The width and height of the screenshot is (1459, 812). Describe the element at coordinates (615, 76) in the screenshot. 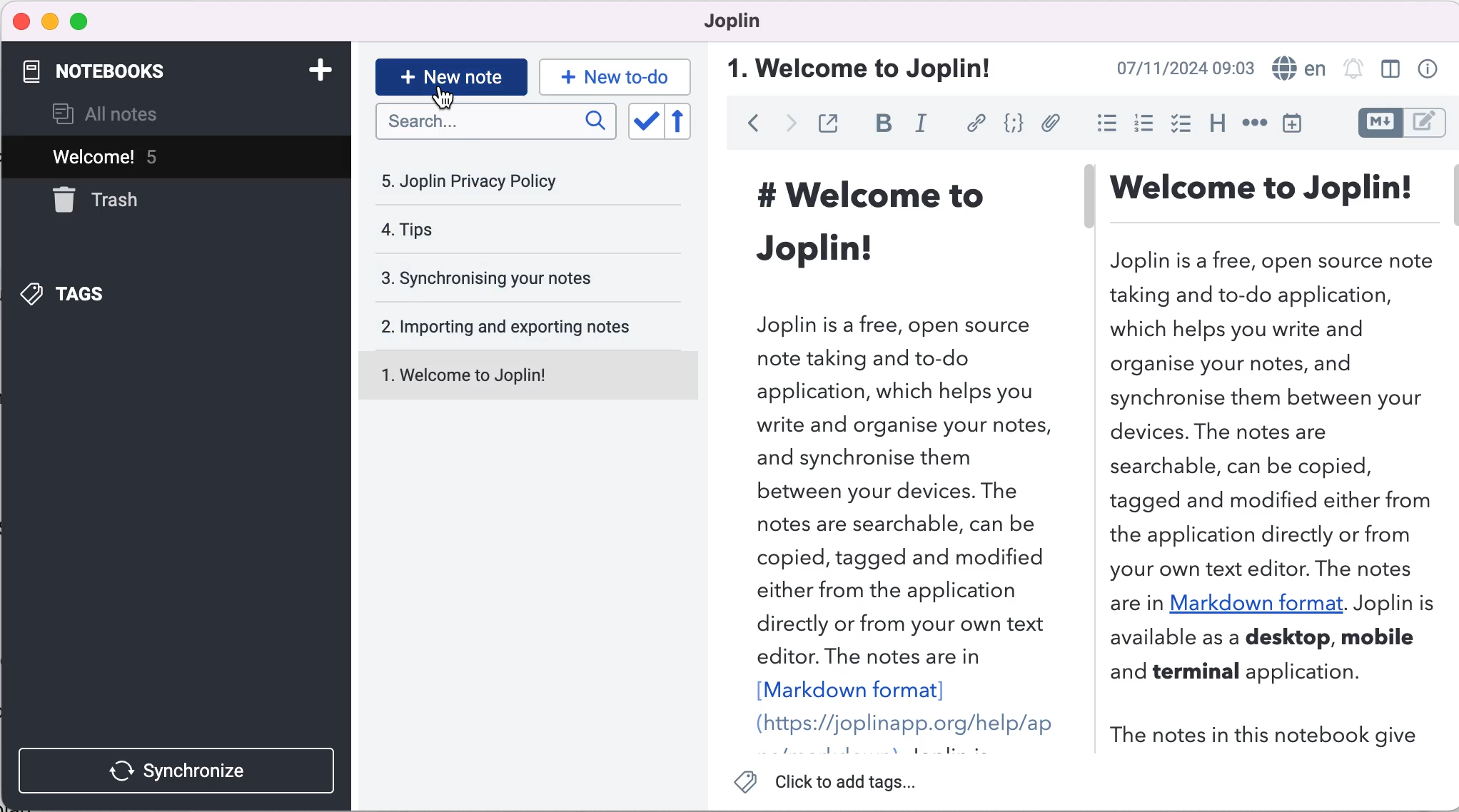

I see `new to-do` at that location.